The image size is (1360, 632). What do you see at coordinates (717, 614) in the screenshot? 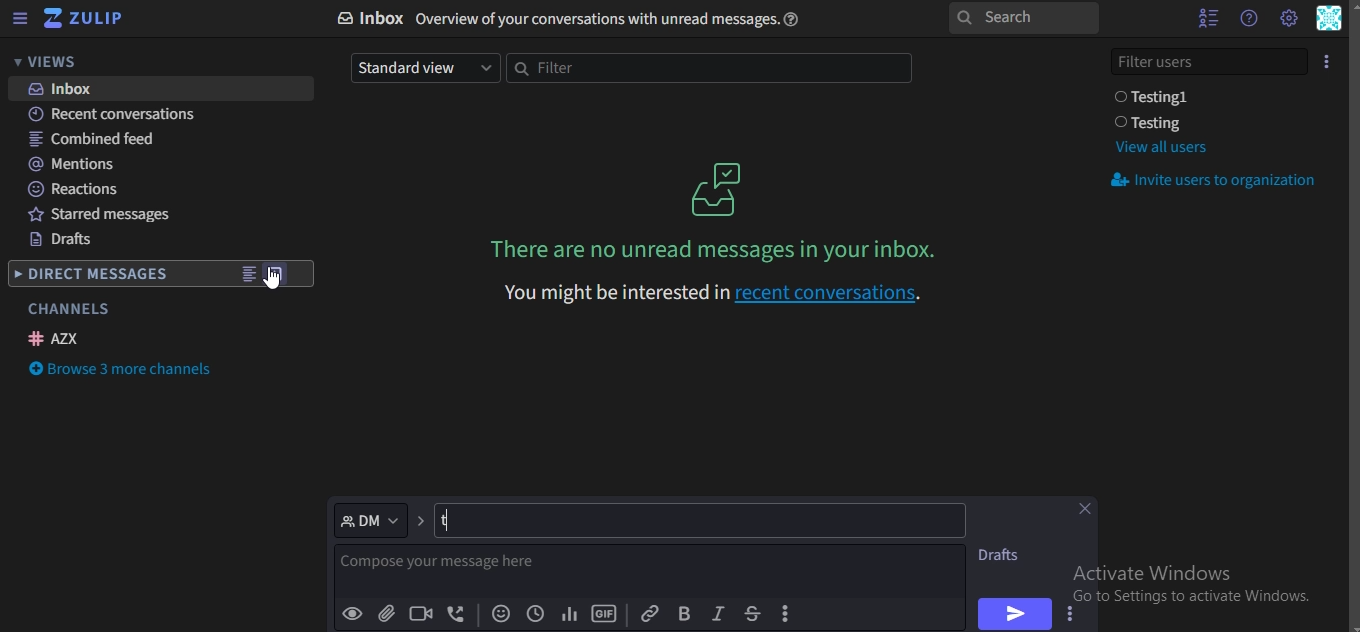
I see `italic` at bounding box center [717, 614].